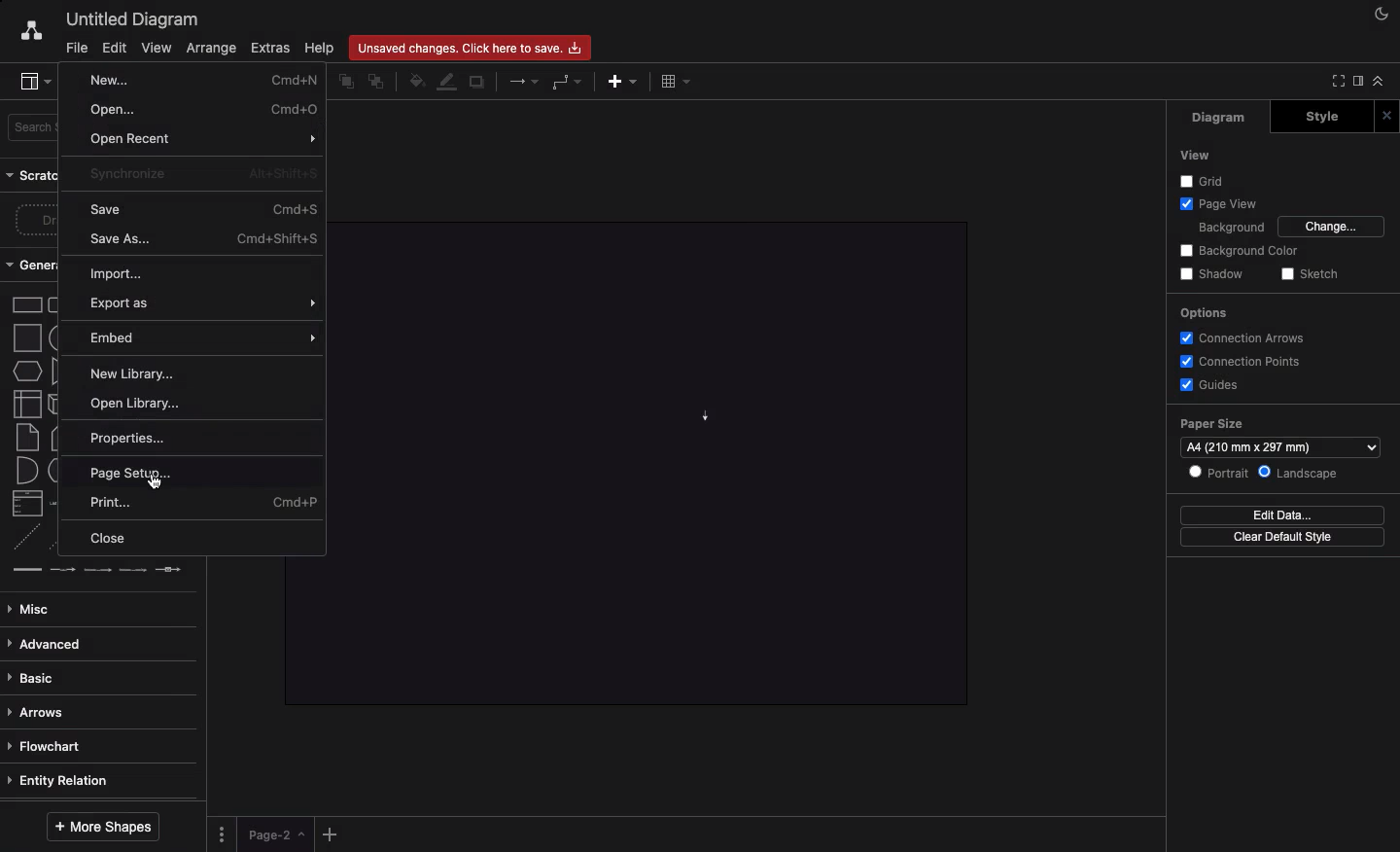 The image size is (1400, 852). I want to click on Waypoints, so click(569, 82).